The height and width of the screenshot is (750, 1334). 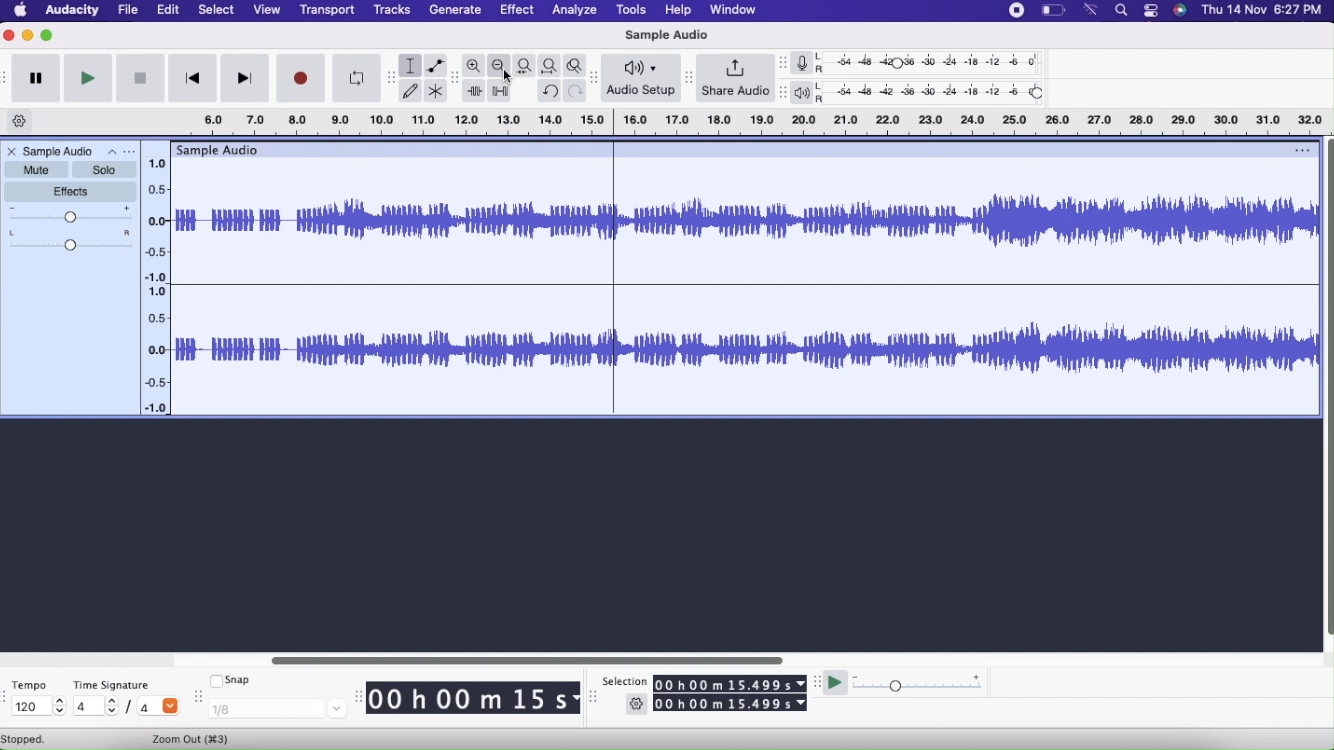 What do you see at coordinates (679, 11) in the screenshot?
I see `Help` at bounding box center [679, 11].